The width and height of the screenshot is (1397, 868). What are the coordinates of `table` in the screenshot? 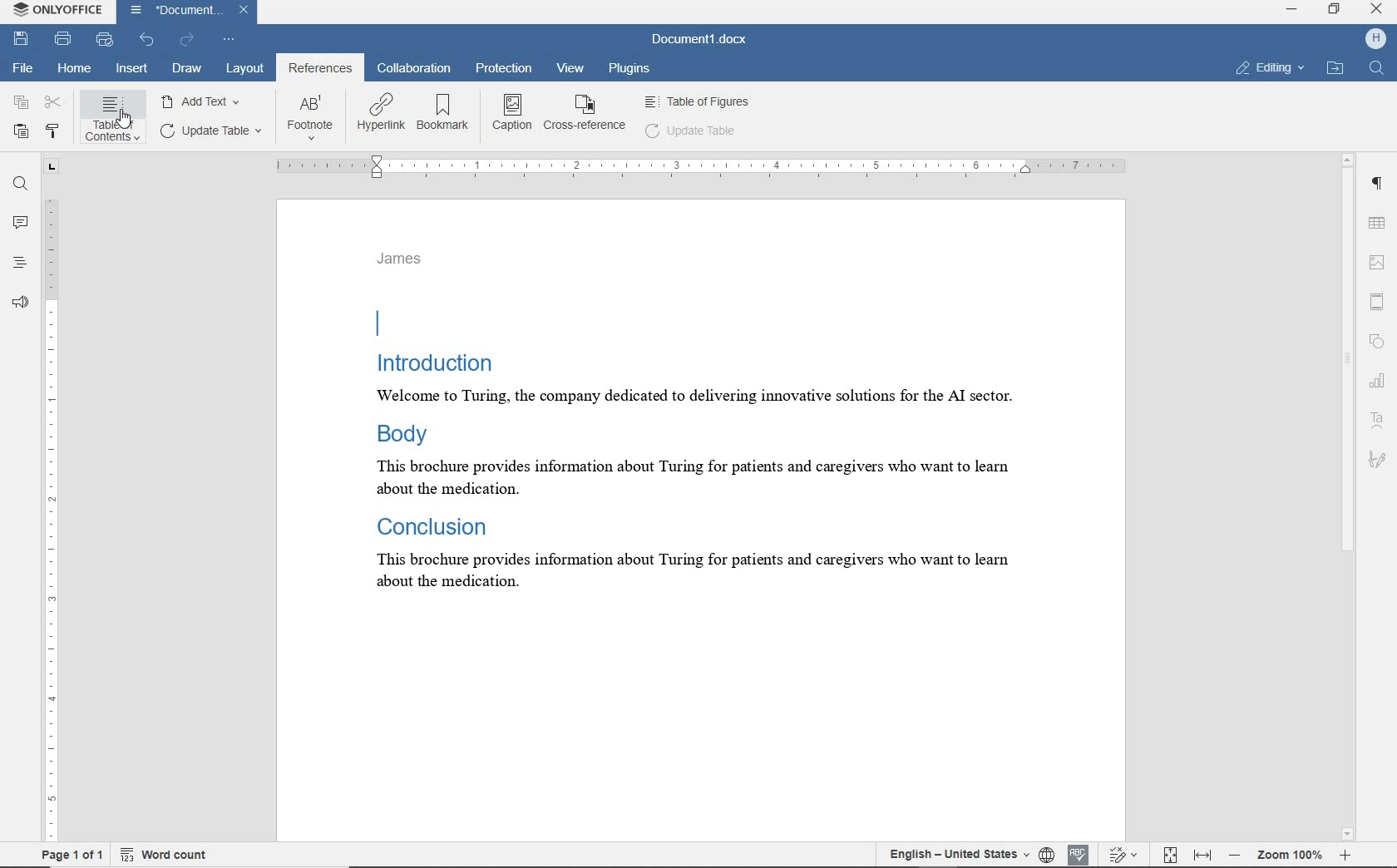 It's located at (1379, 222).